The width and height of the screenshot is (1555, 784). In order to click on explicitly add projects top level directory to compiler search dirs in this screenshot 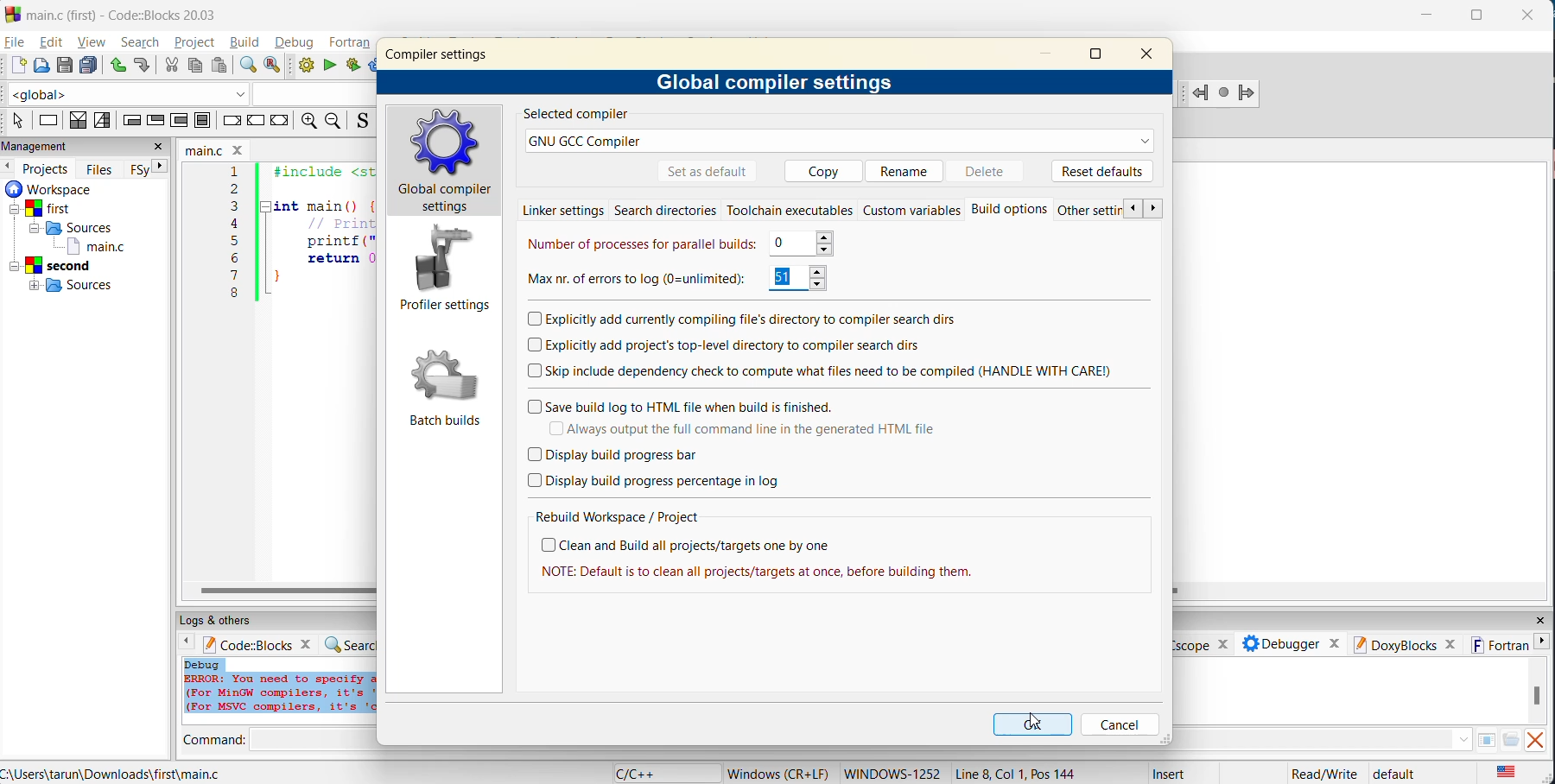, I will do `click(752, 348)`.